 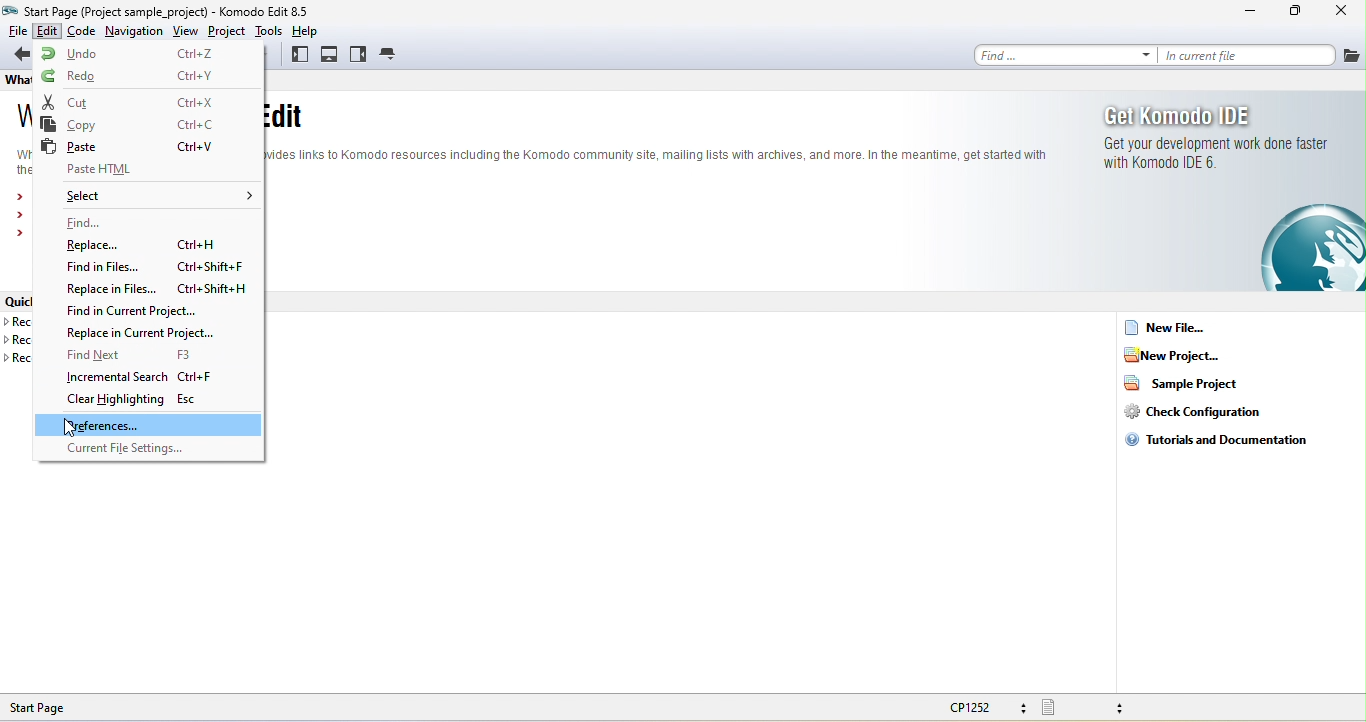 I want to click on edit, so click(x=47, y=31).